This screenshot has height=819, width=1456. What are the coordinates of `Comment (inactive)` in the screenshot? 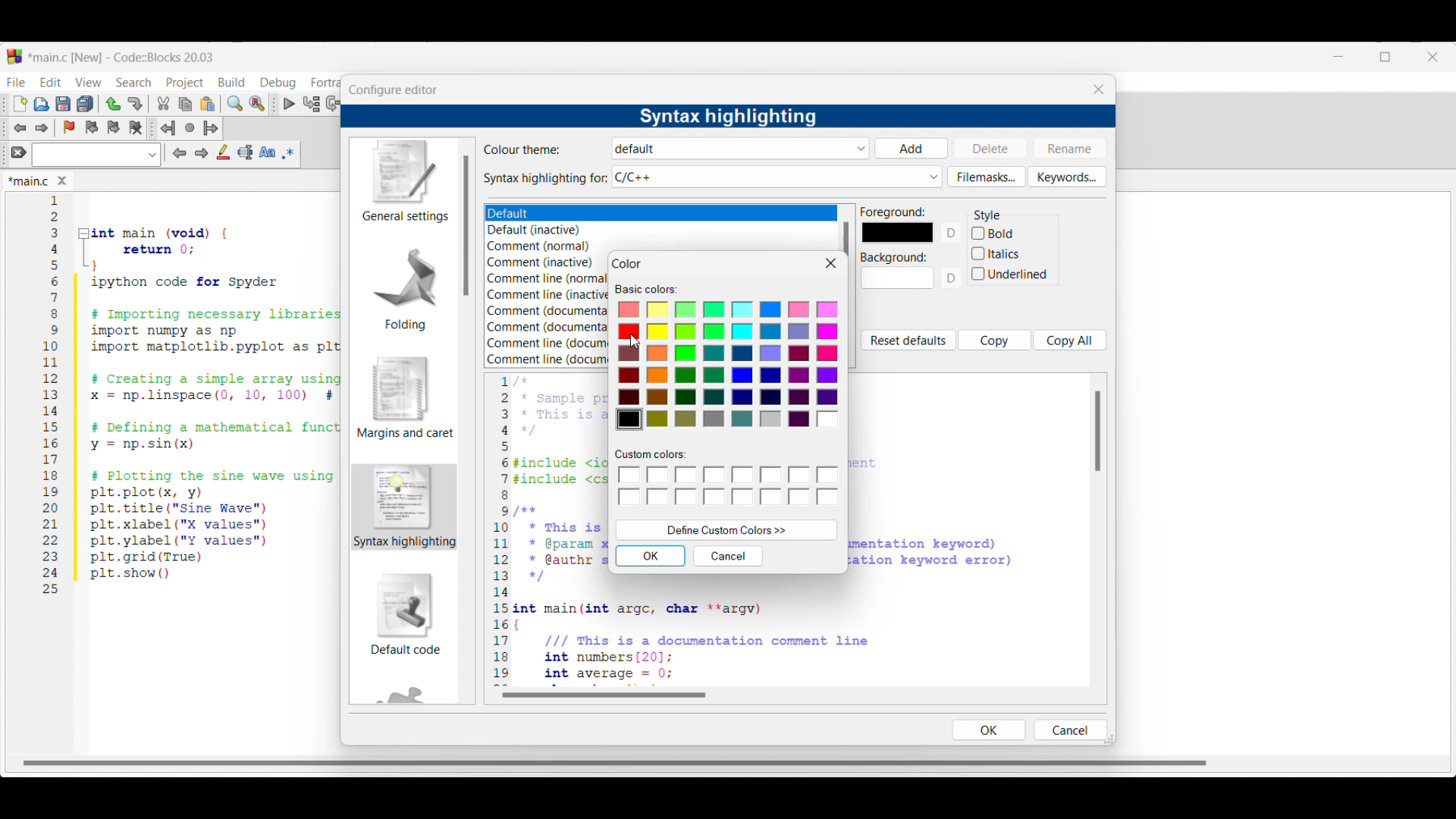 It's located at (541, 262).